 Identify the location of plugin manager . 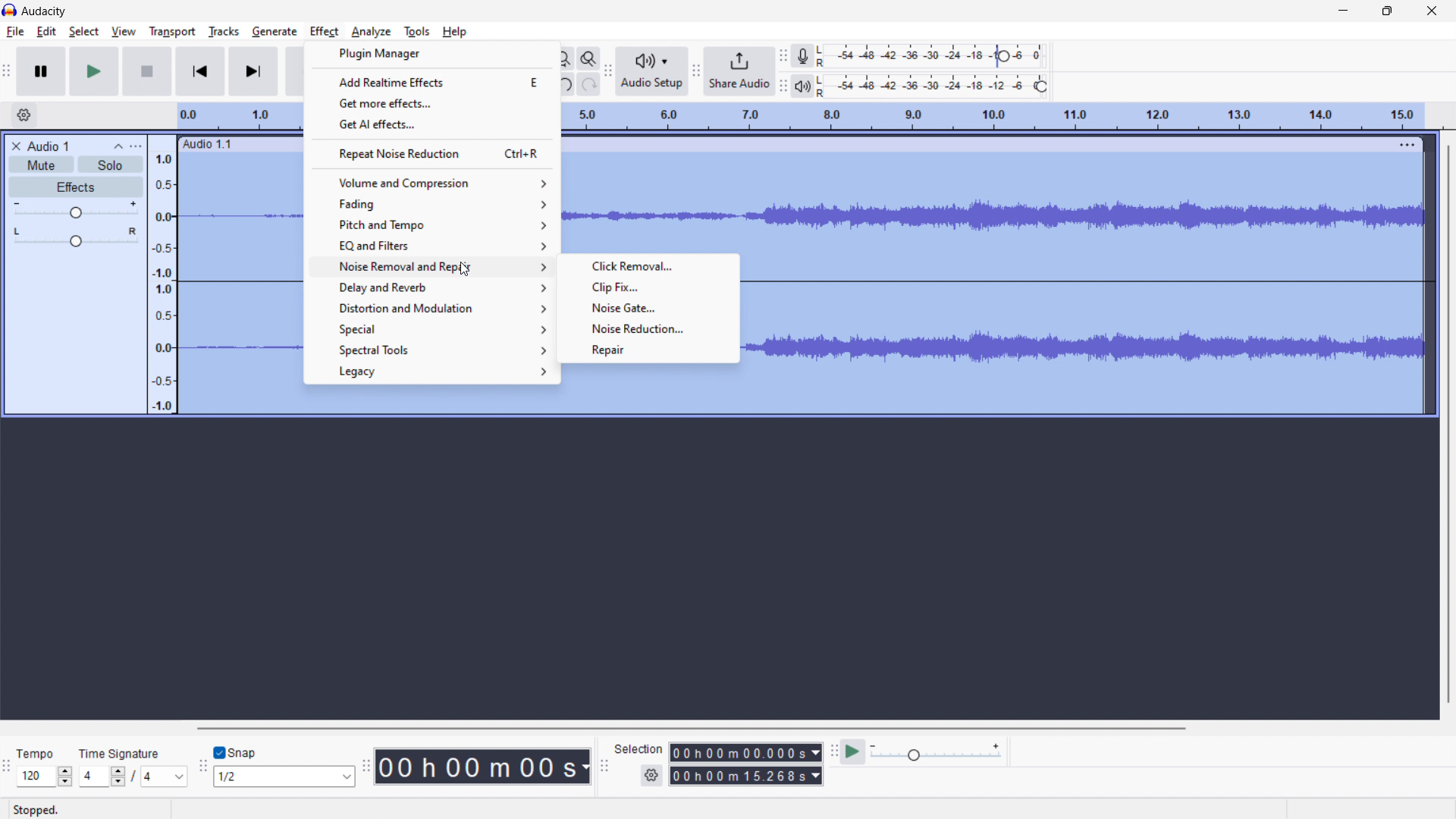
(432, 54).